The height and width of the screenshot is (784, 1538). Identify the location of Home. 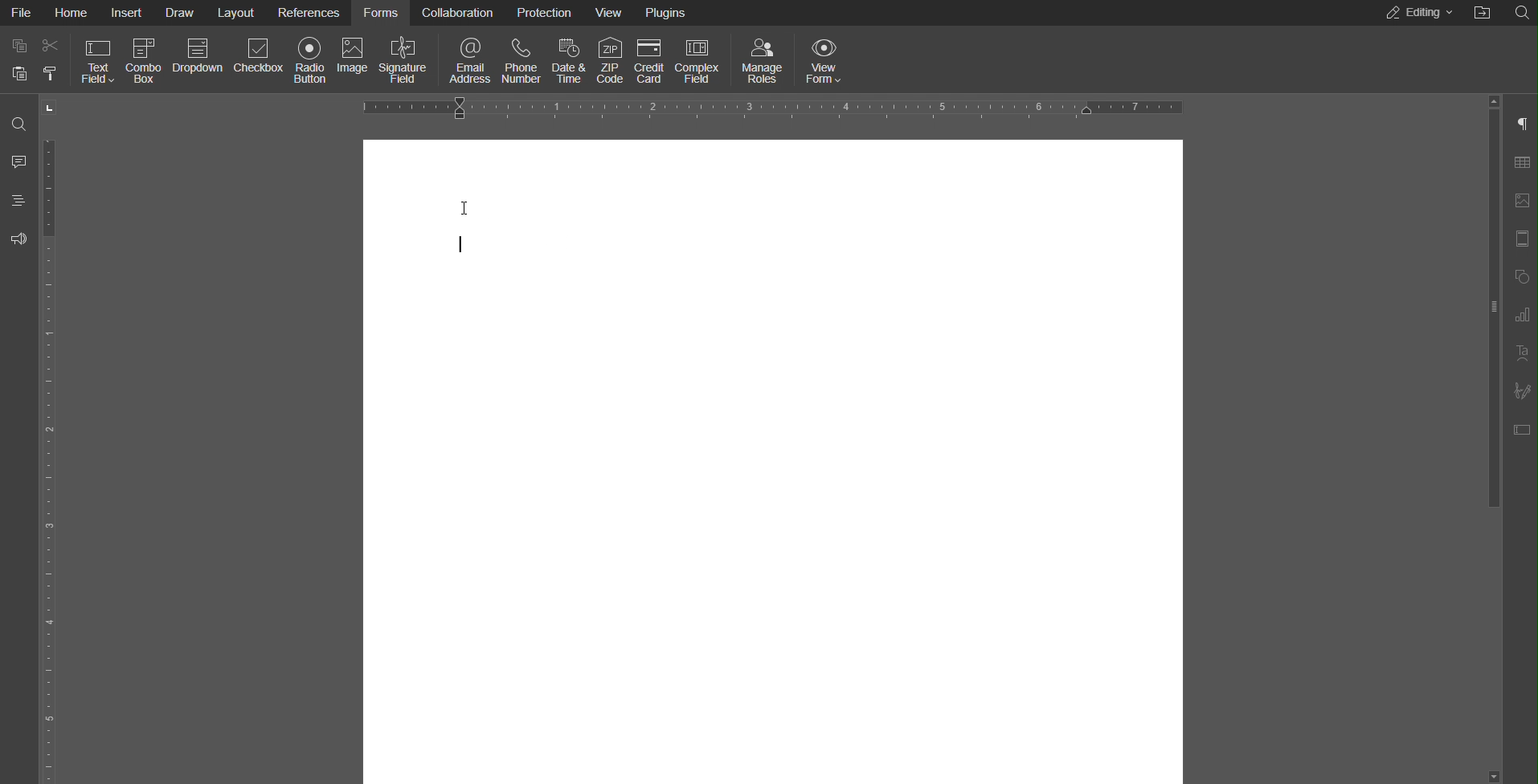
(74, 14).